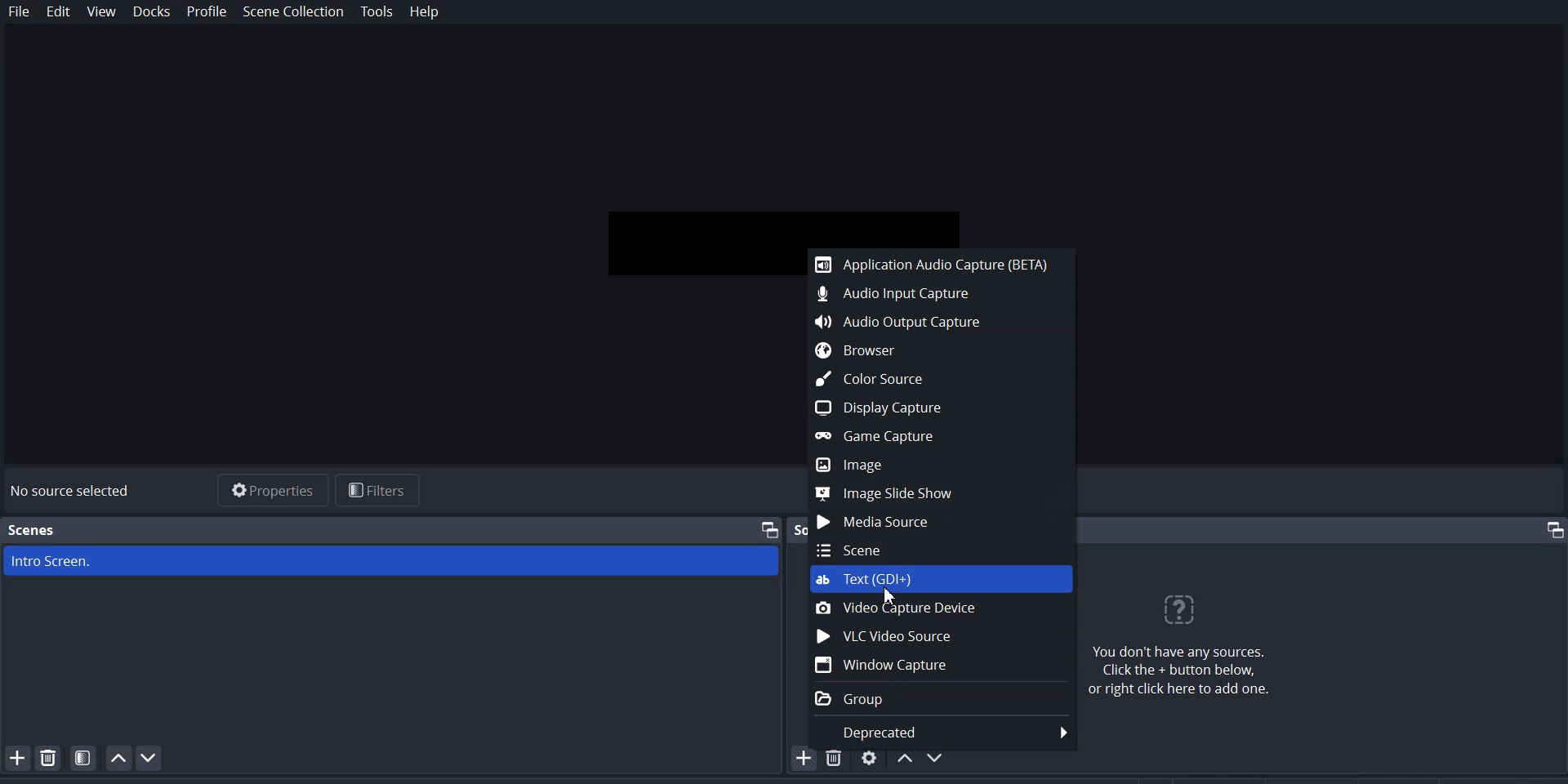 Image resolution: width=1568 pixels, height=784 pixels. Describe the element at coordinates (49, 757) in the screenshot. I see `Remove Selected Scene` at that location.